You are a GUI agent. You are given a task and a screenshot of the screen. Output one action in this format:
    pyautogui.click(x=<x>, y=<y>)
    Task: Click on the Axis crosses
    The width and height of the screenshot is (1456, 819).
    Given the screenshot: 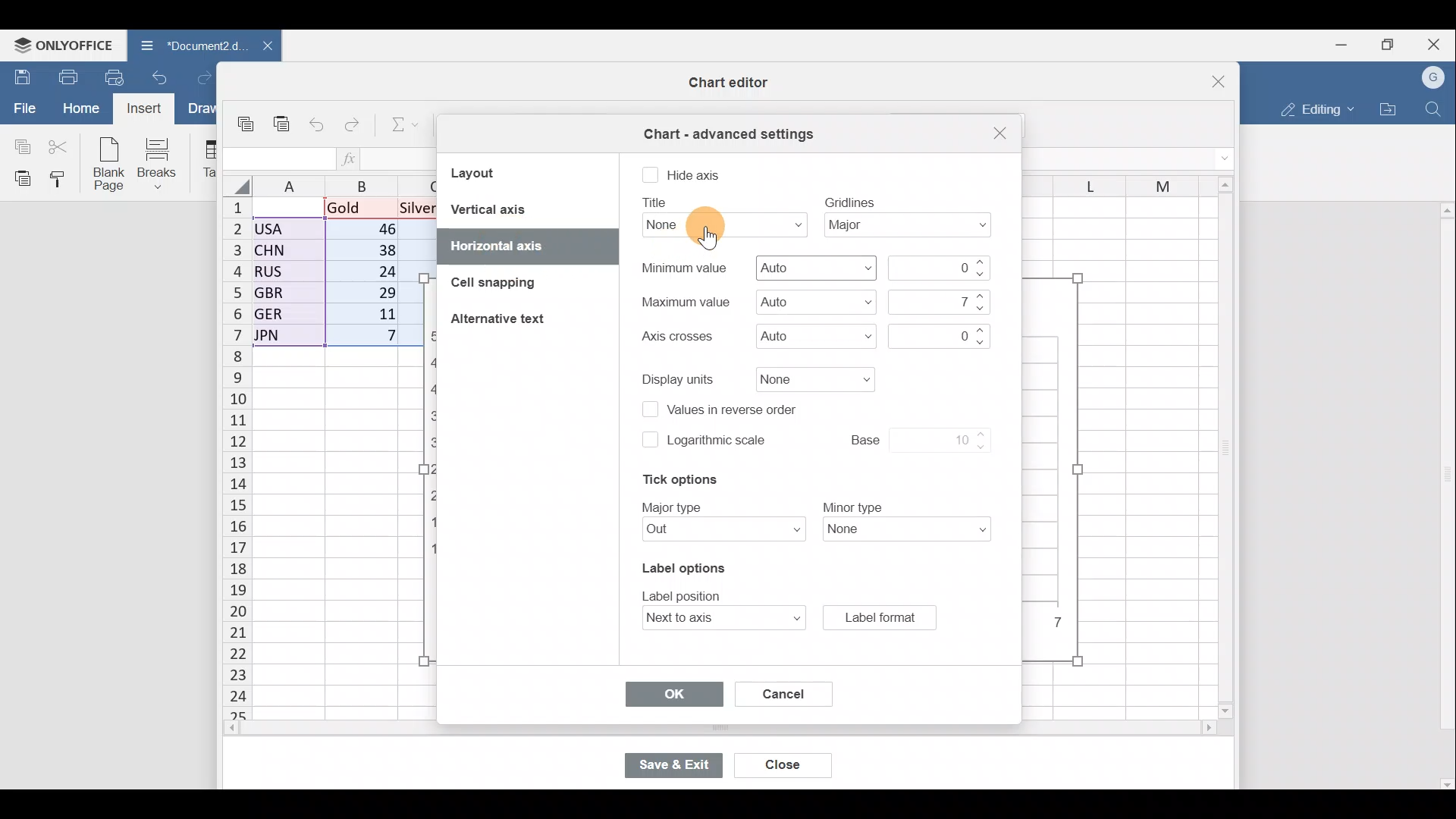 What is the action you would take?
    pyautogui.click(x=815, y=335)
    